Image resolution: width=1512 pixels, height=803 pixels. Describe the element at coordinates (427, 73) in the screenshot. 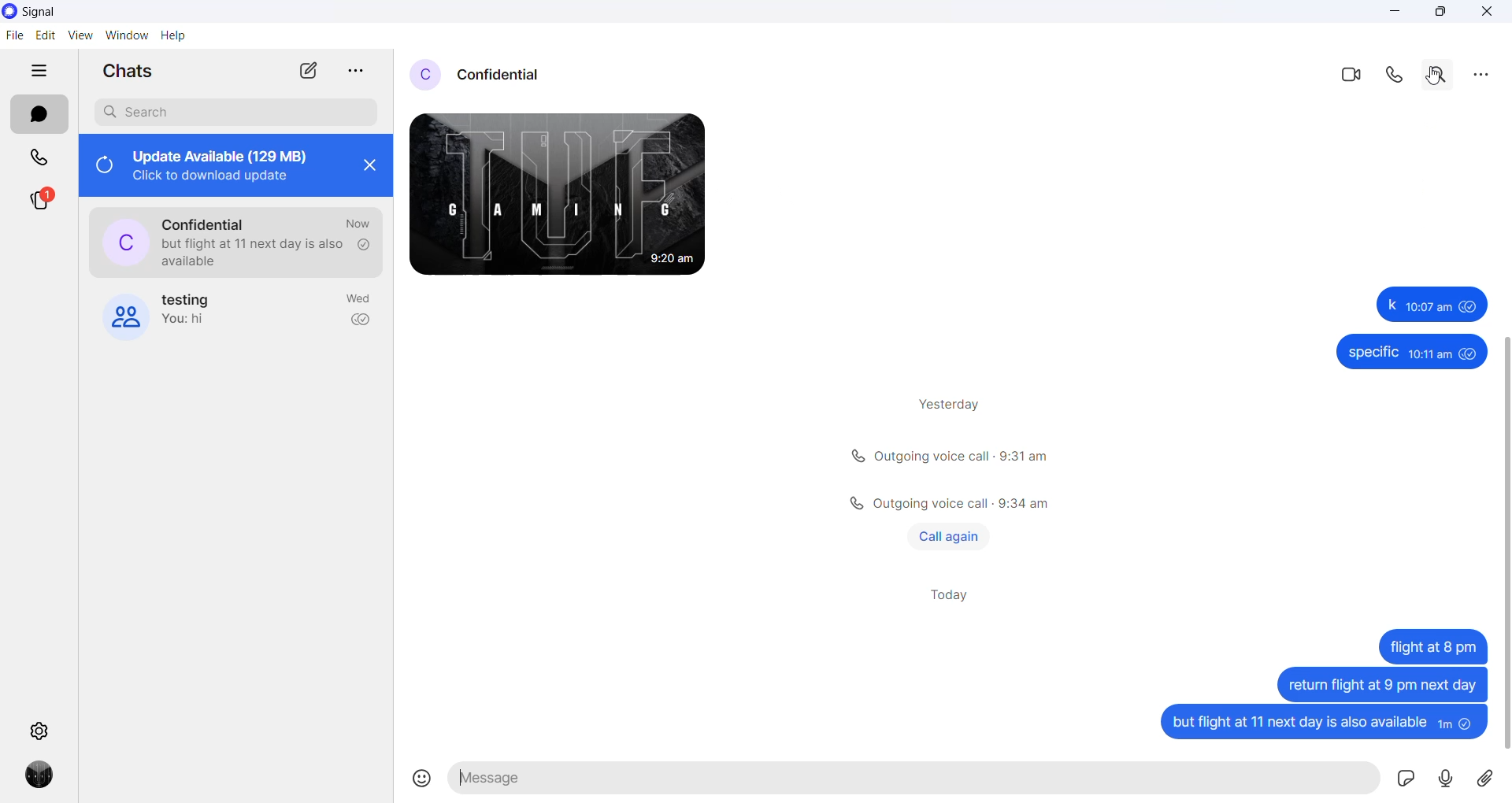

I see `profile picture` at that location.